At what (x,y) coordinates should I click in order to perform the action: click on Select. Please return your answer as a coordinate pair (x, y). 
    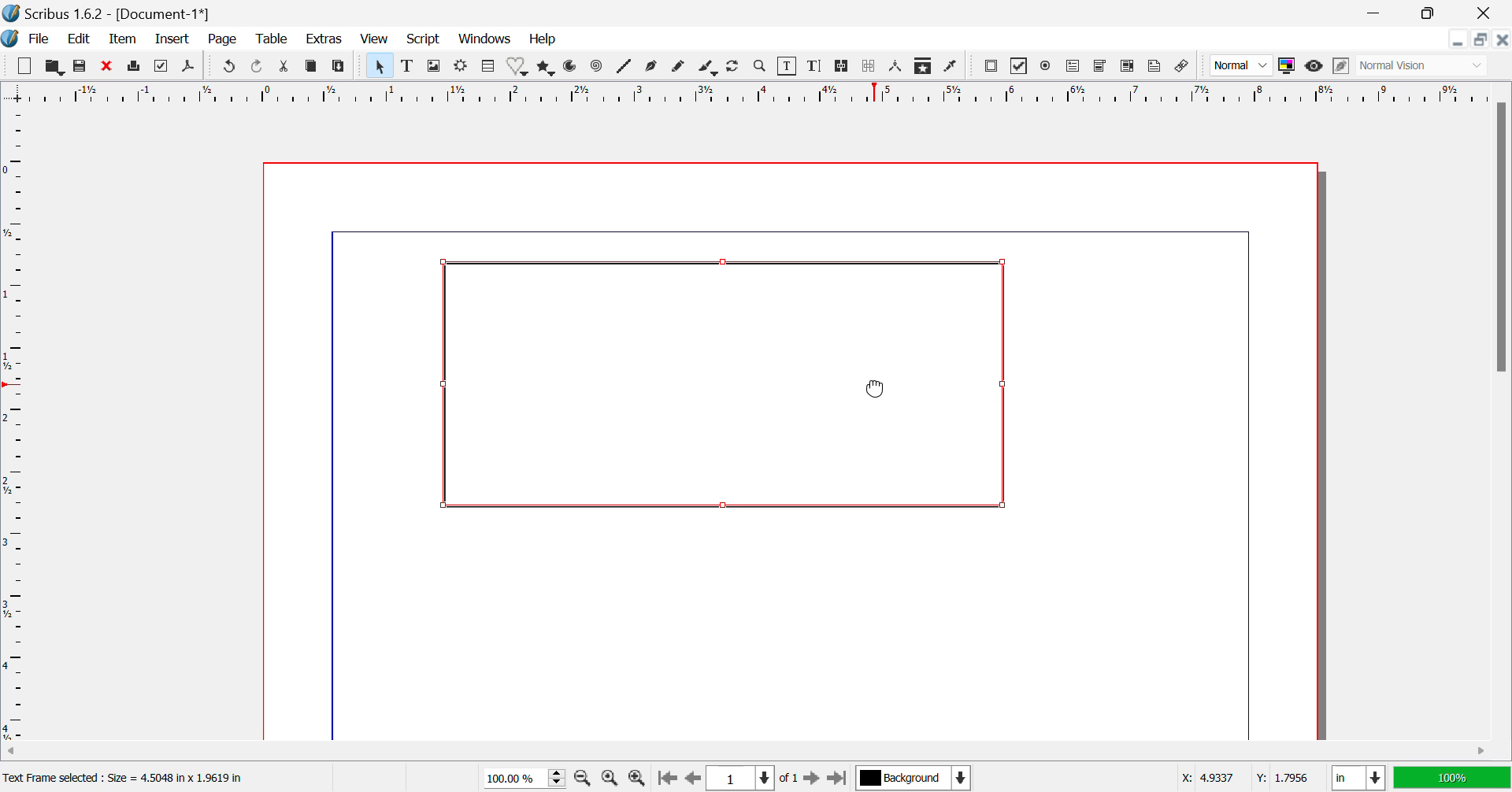
    Looking at the image, I should click on (379, 65).